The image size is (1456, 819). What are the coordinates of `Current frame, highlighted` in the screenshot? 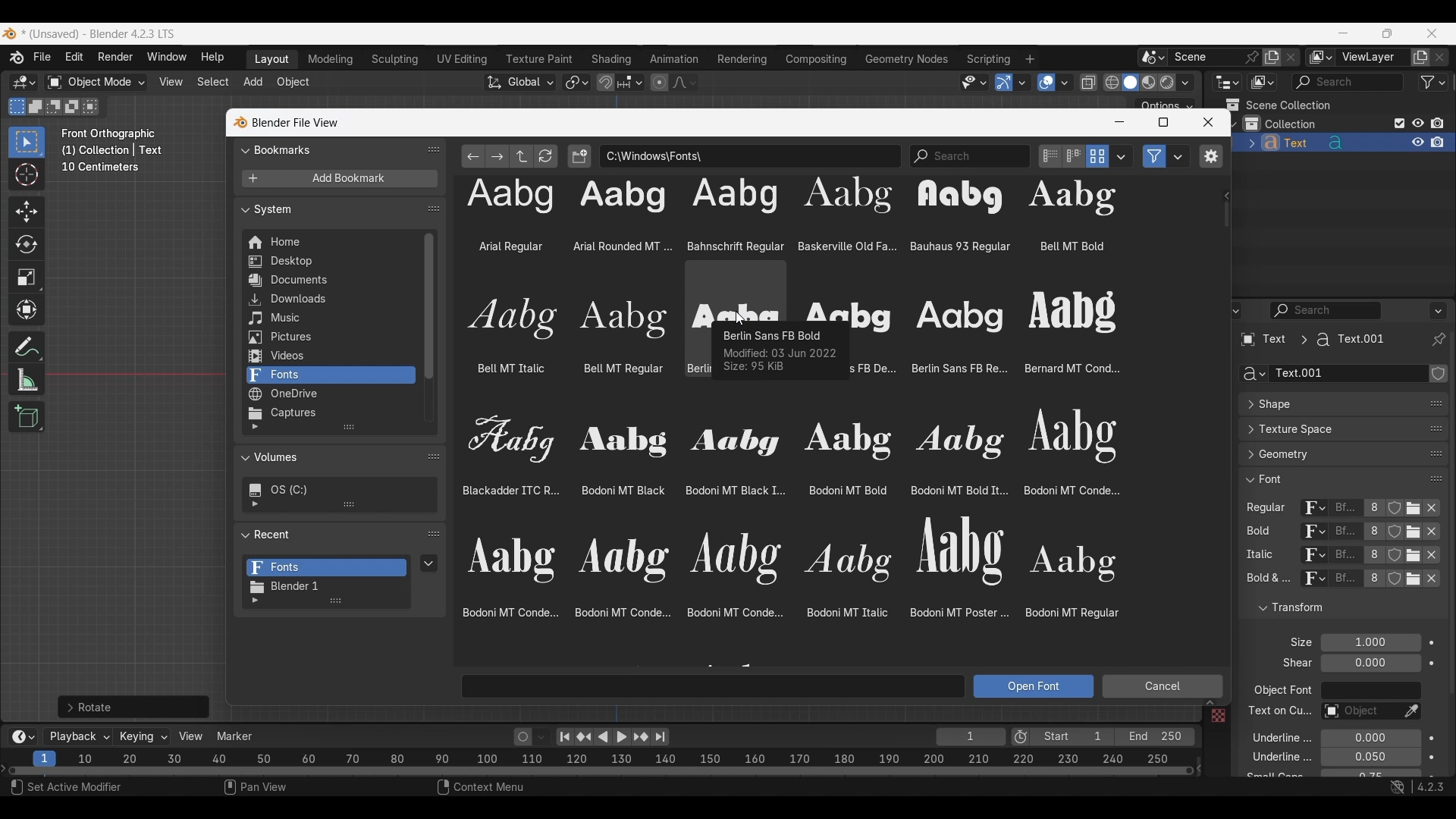 It's located at (45, 756).